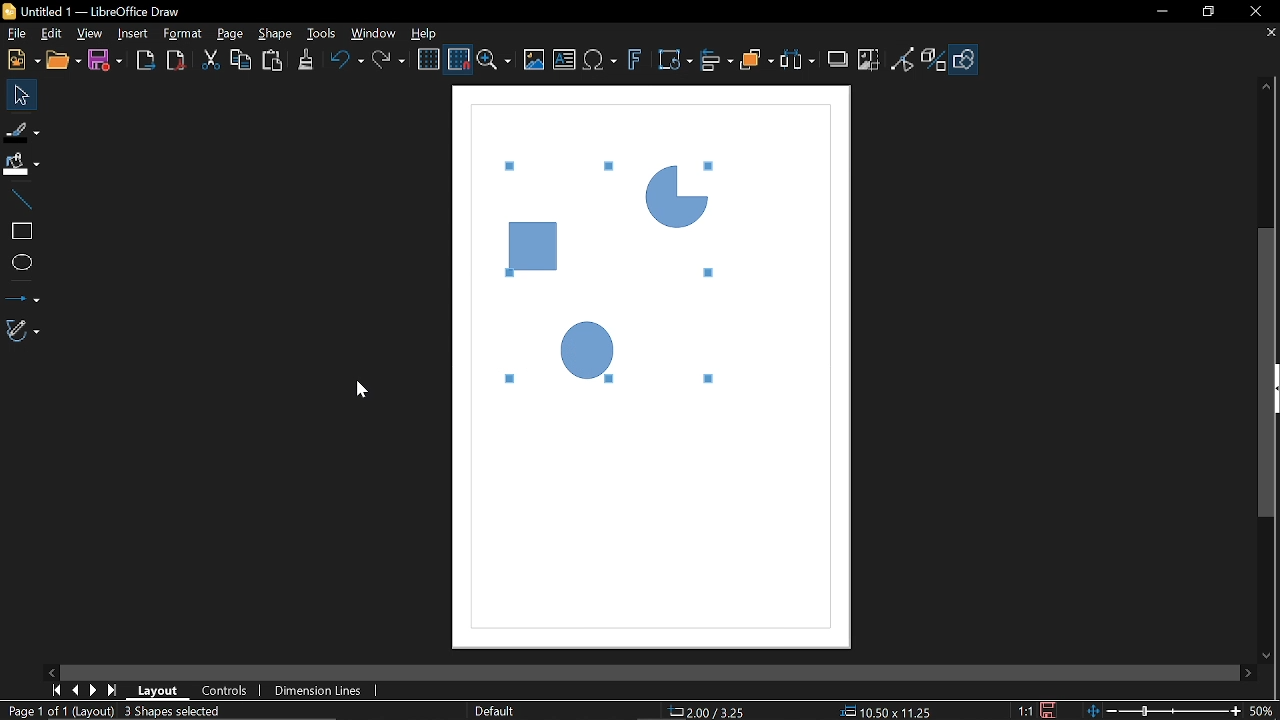 The width and height of the screenshot is (1280, 720). What do you see at coordinates (1205, 13) in the screenshot?
I see `restore down` at bounding box center [1205, 13].